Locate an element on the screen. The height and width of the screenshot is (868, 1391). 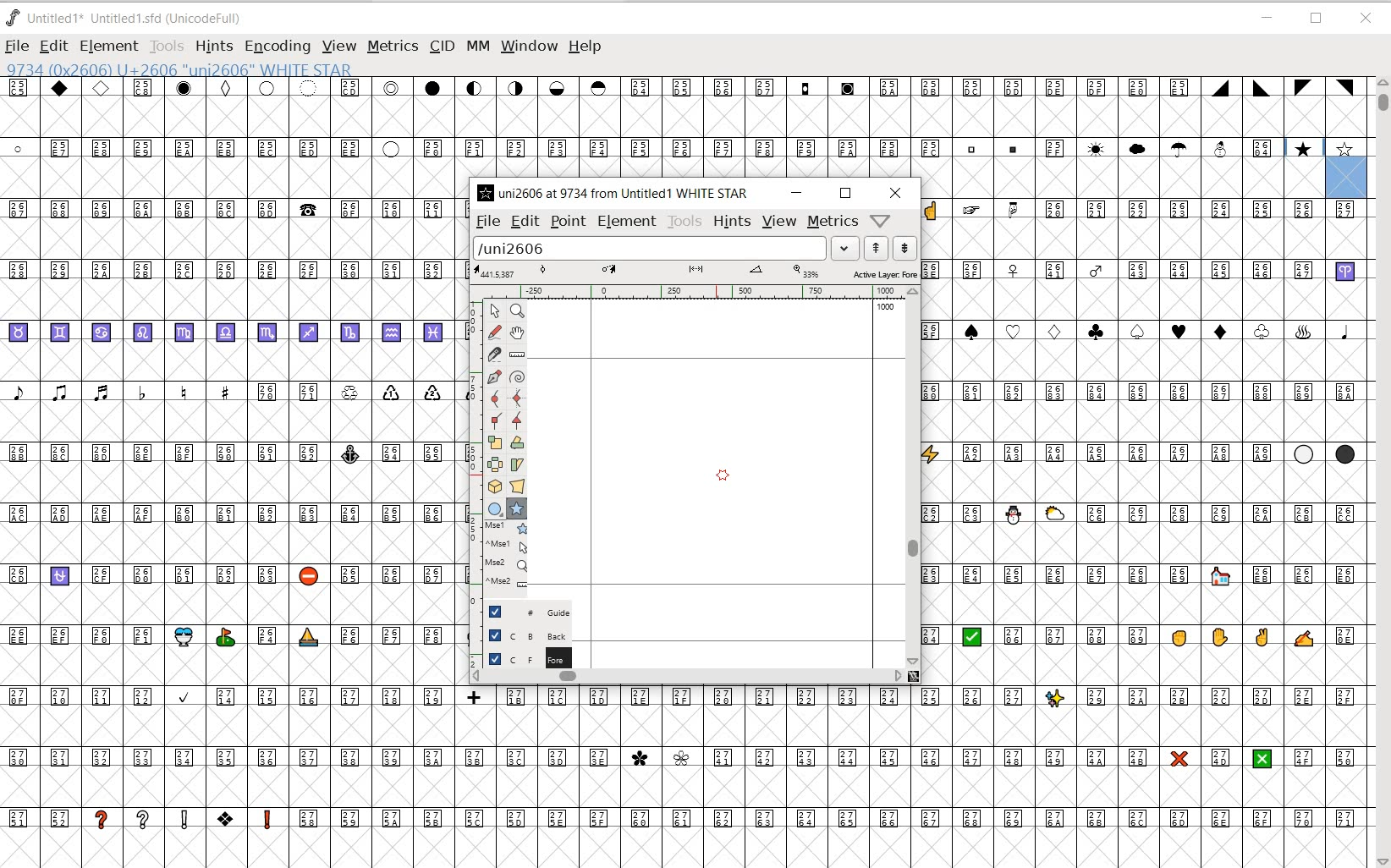
EDIT is located at coordinates (52, 47).